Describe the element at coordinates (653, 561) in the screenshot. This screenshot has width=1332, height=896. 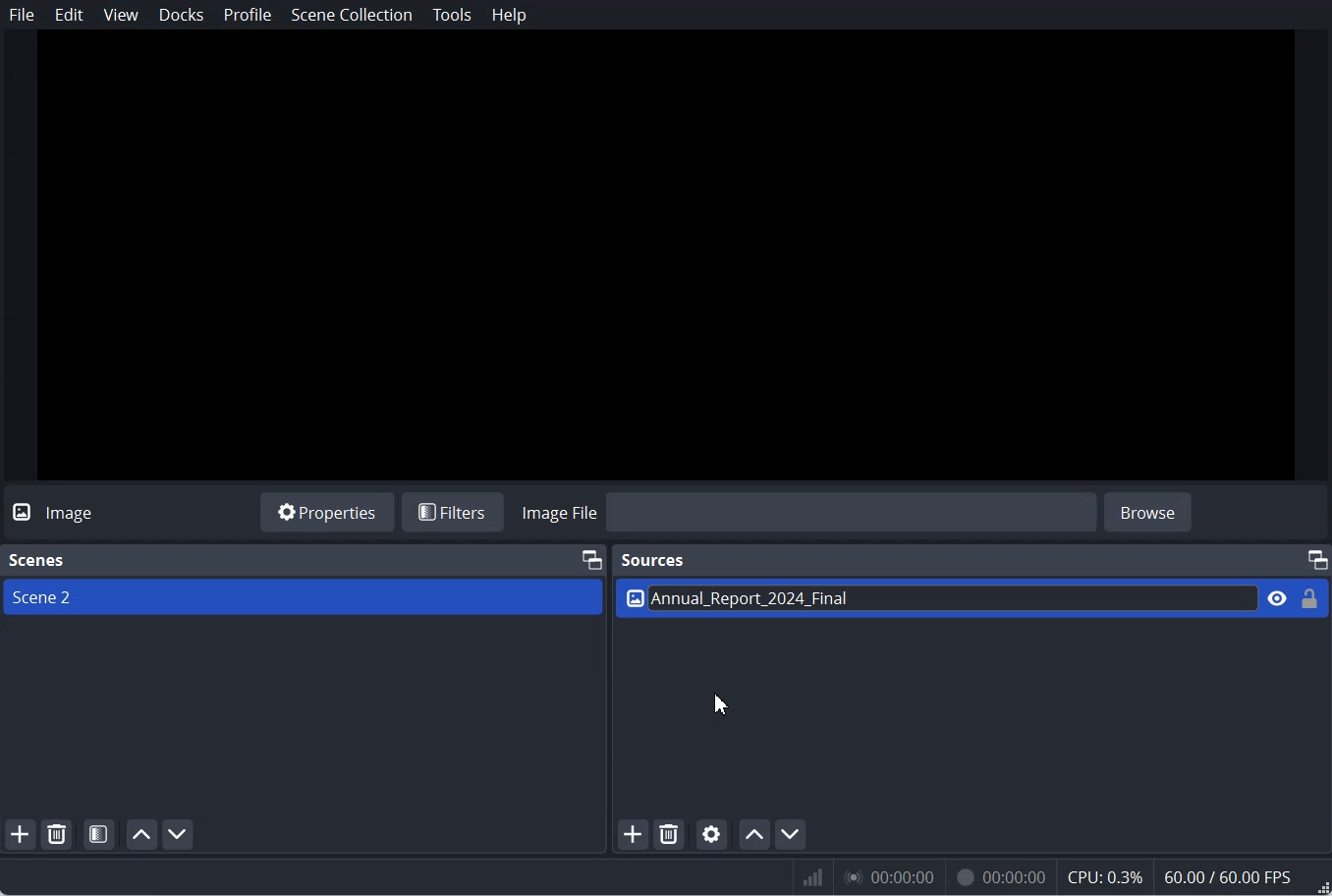
I see `Sources` at that location.